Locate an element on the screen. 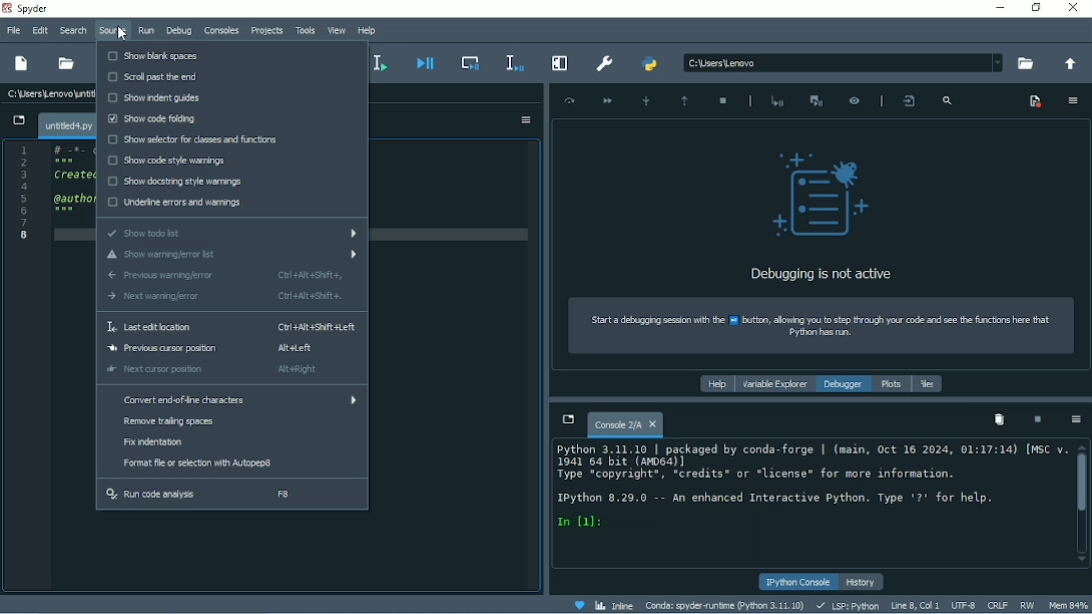 This screenshot has height=614, width=1092. Restore down is located at coordinates (1037, 8).